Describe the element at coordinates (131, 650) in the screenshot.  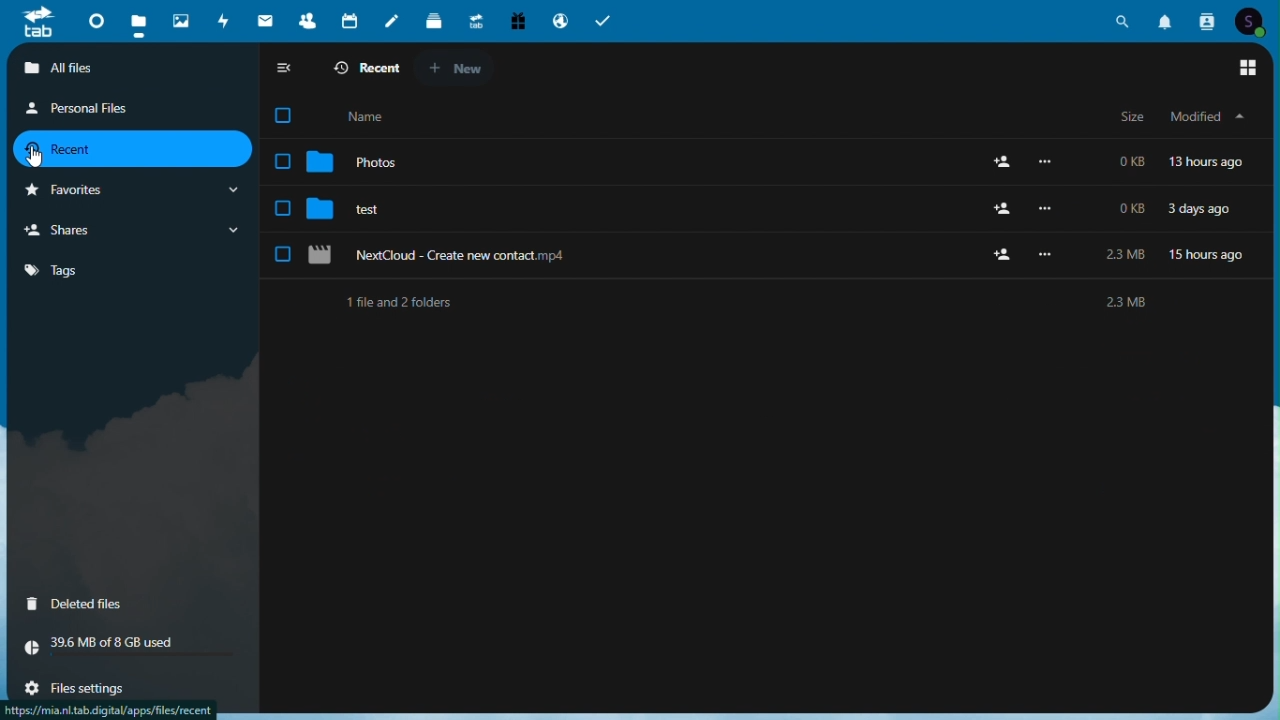
I see `storage` at that location.